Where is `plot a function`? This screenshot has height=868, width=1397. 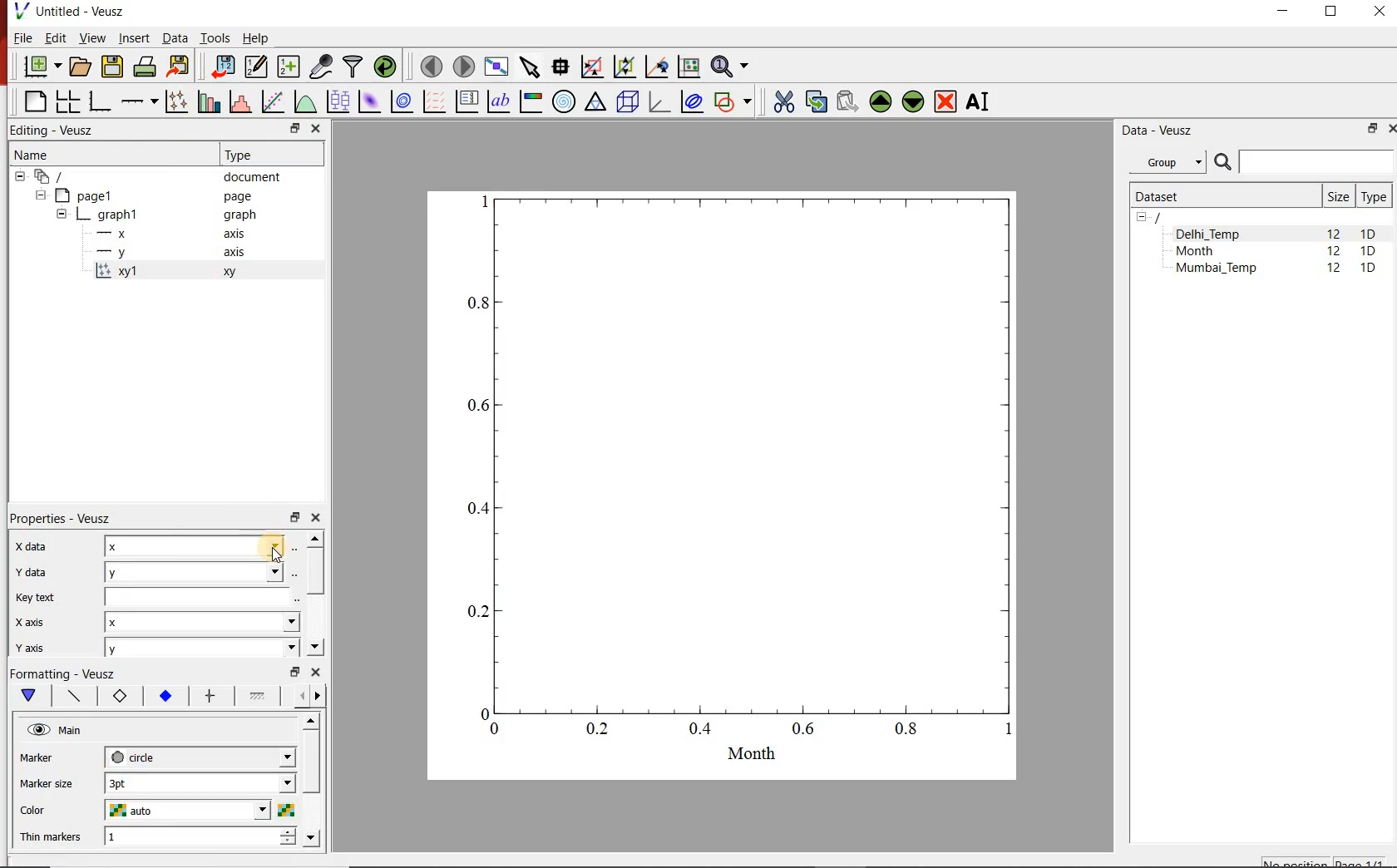 plot a function is located at coordinates (305, 101).